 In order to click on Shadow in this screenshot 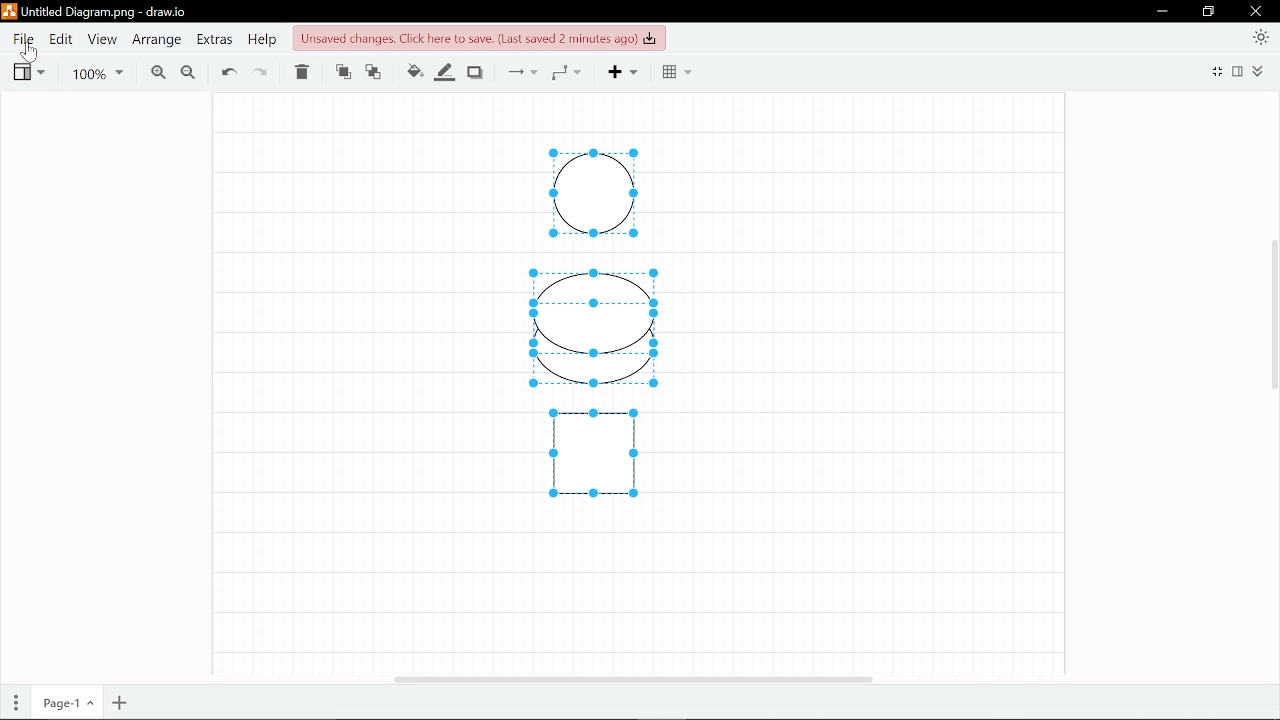, I will do `click(477, 72)`.